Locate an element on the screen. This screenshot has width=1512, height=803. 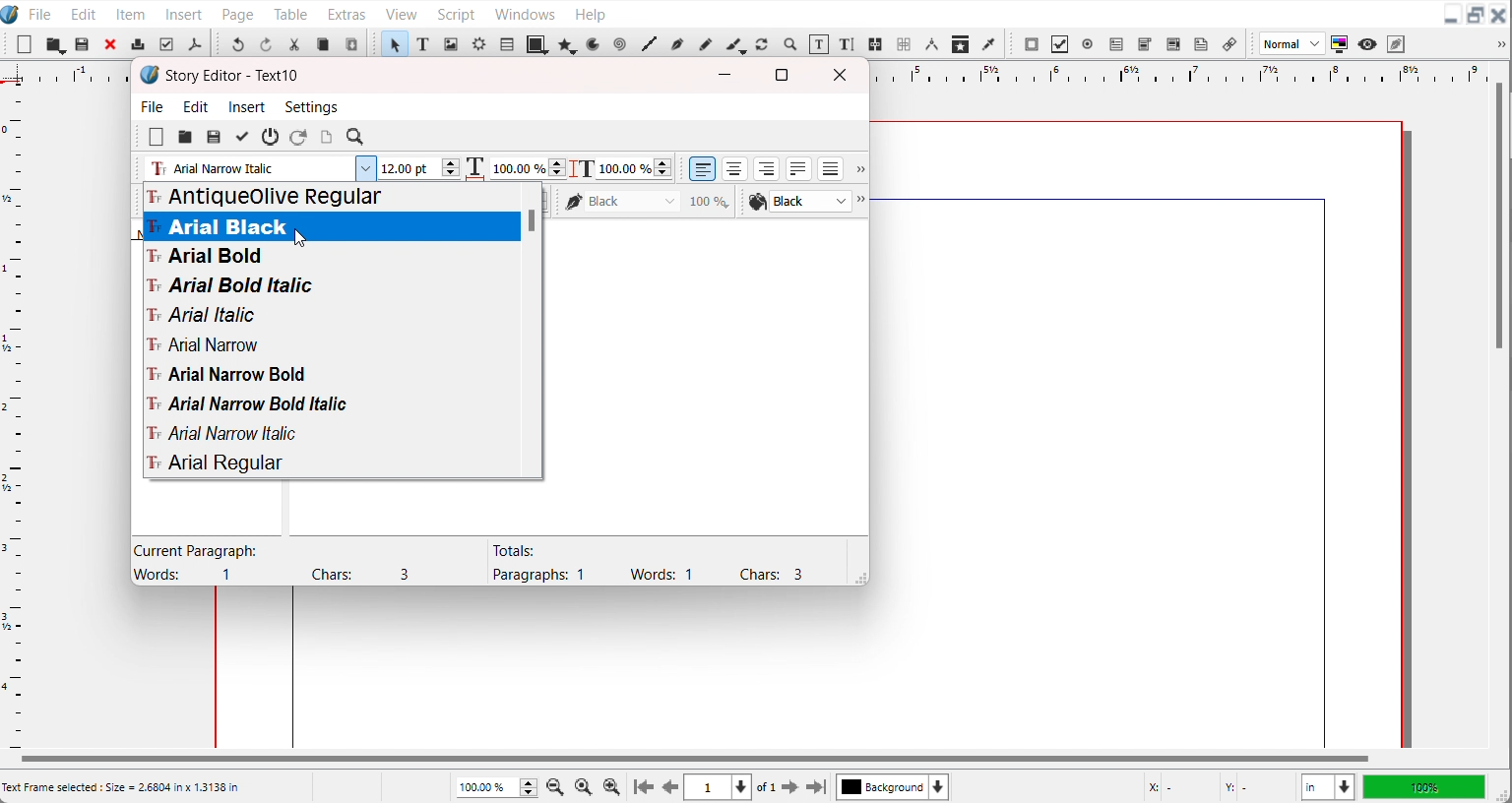
Align text Justified is located at coordinates (799, 168).